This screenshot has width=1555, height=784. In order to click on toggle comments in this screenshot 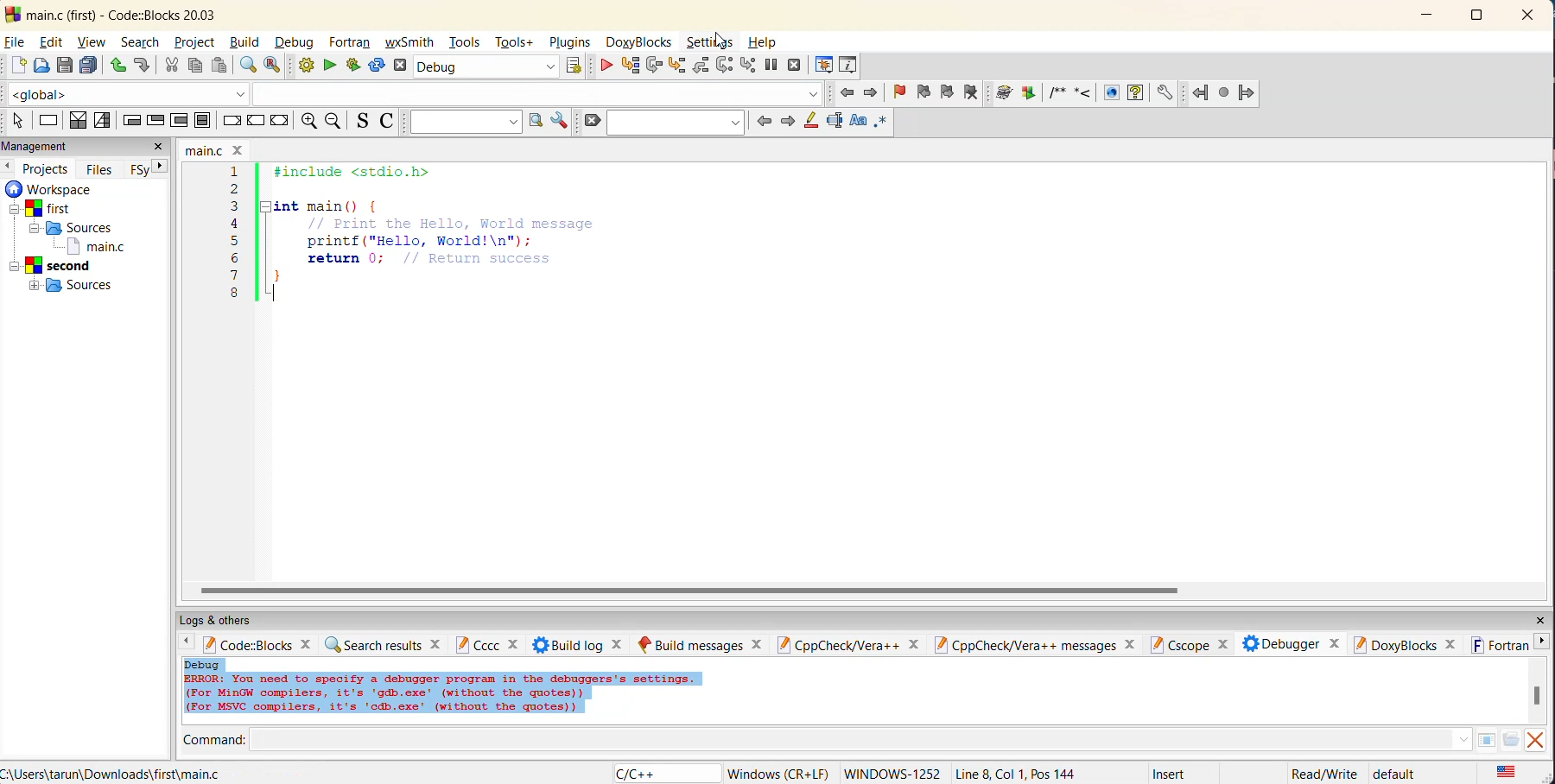, I will do `click(385, 123)`.